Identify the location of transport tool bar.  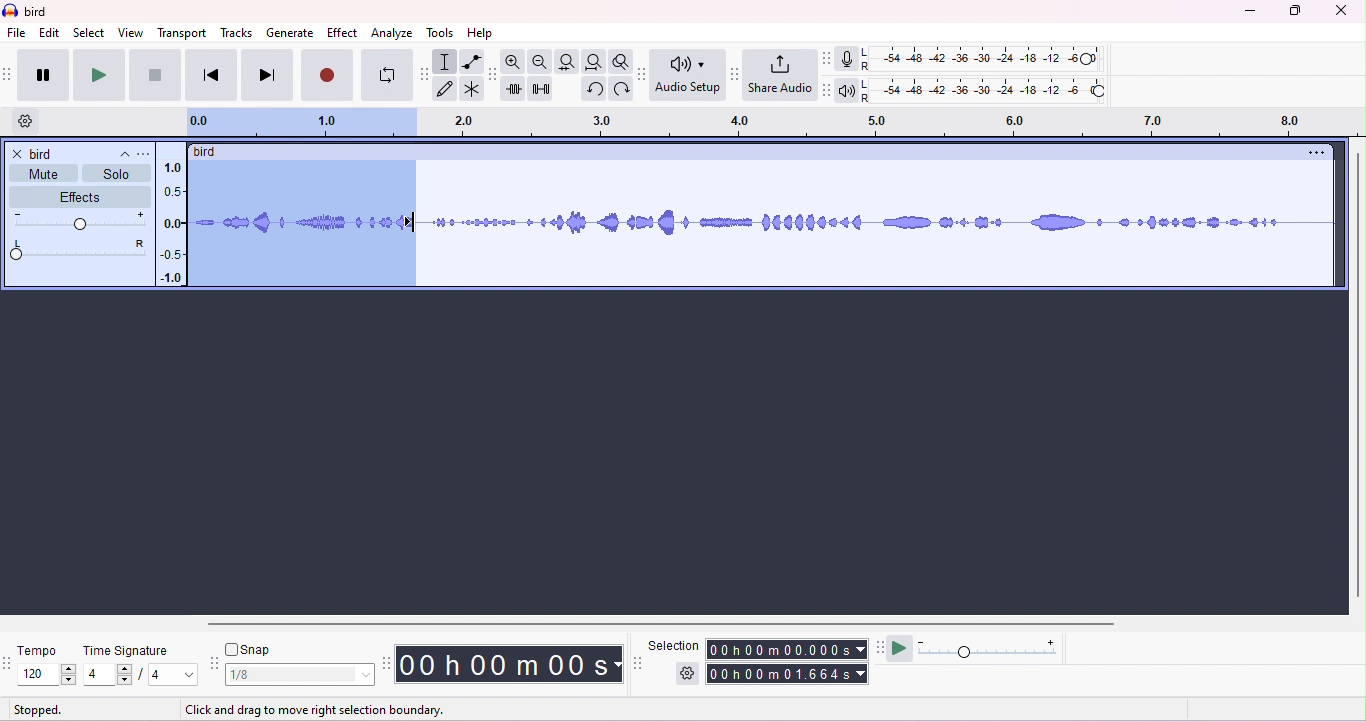
(9, 72).